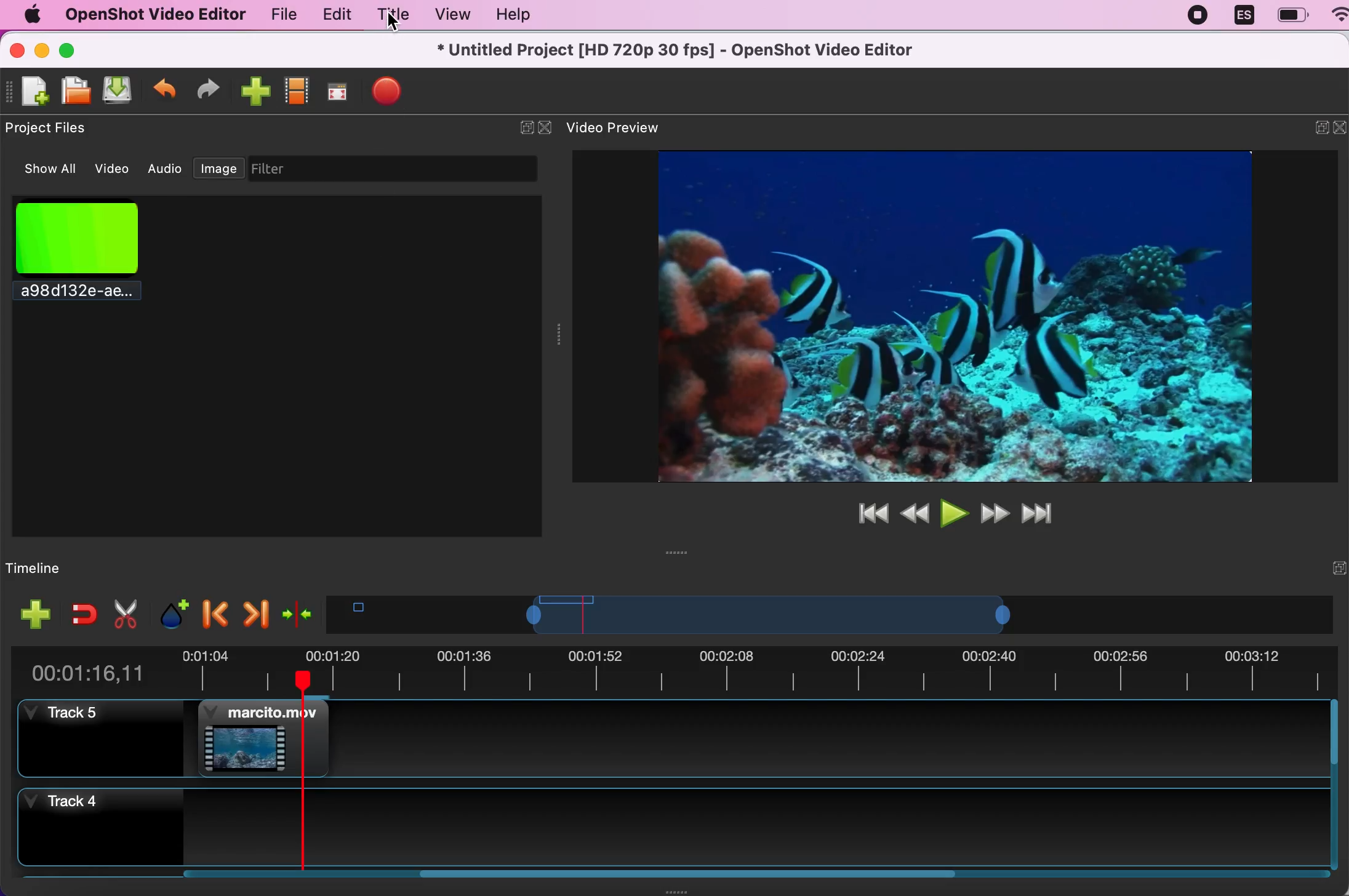 This screenshot has width=1349, height=896. I want to click on add marker, so click(169, 612).